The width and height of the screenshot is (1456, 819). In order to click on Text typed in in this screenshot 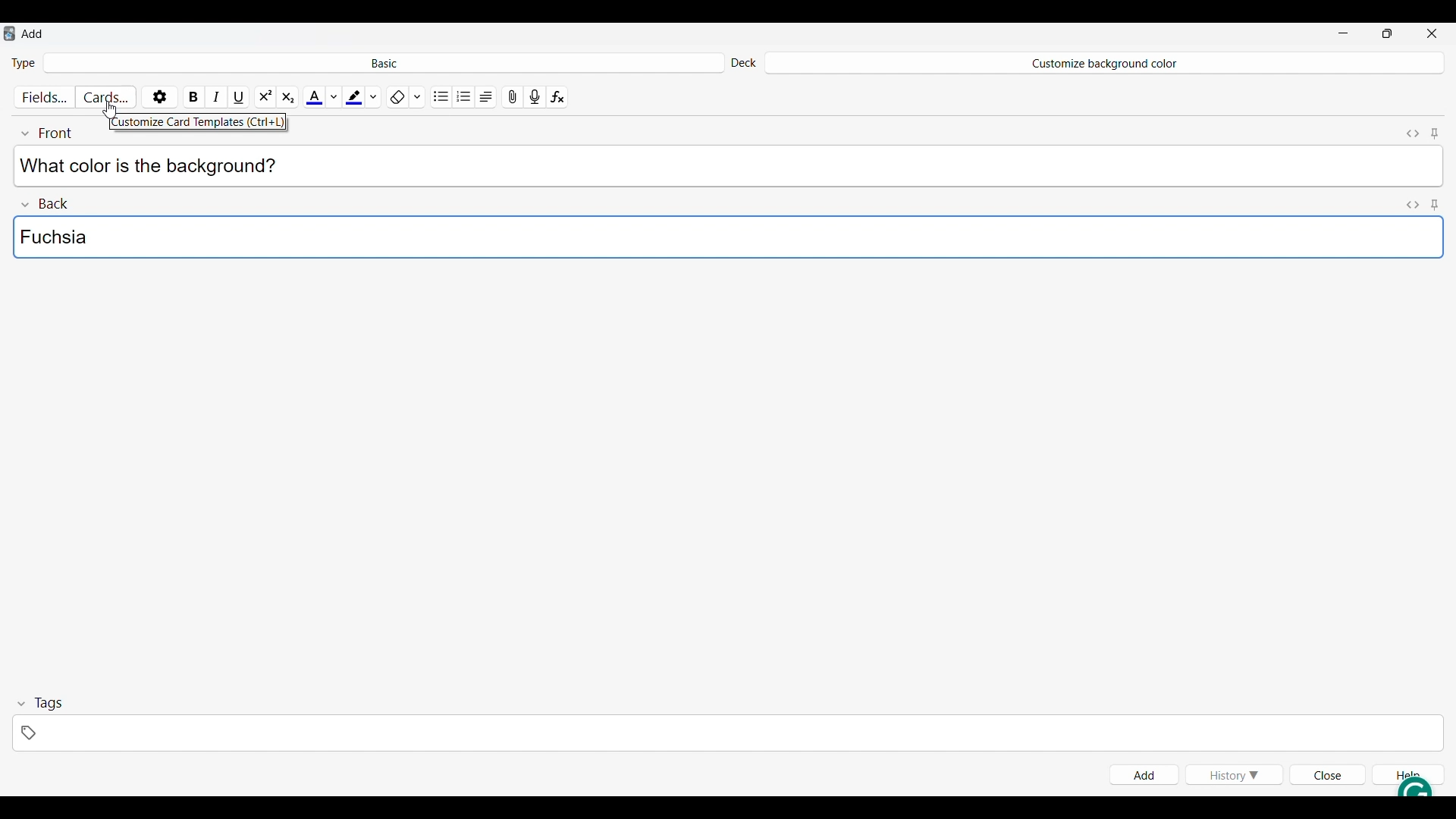, I will do `click(155, 165)`.